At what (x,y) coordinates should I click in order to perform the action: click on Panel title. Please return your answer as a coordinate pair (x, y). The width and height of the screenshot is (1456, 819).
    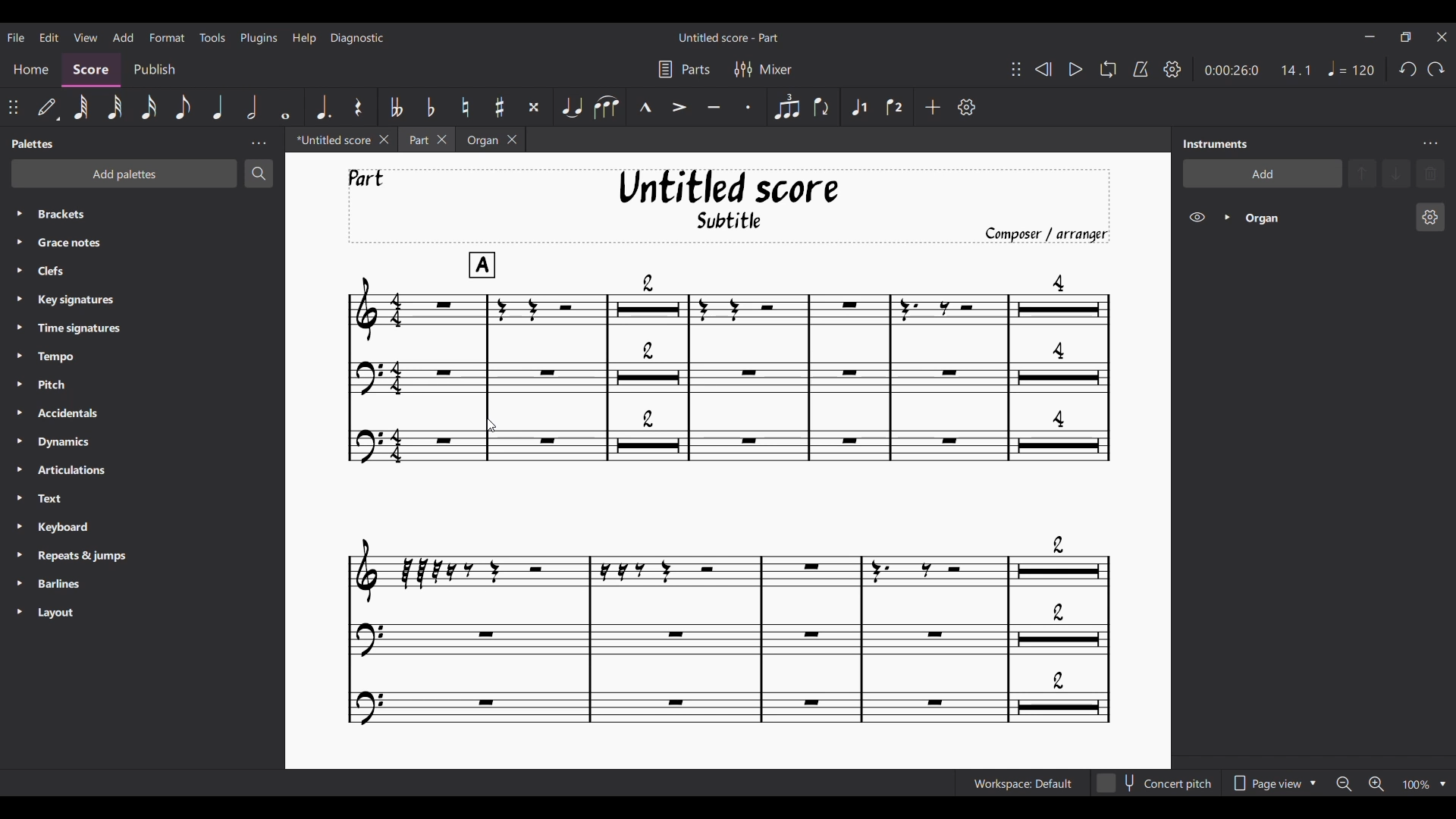
    Looking at the image, I should click on (1216, 144).